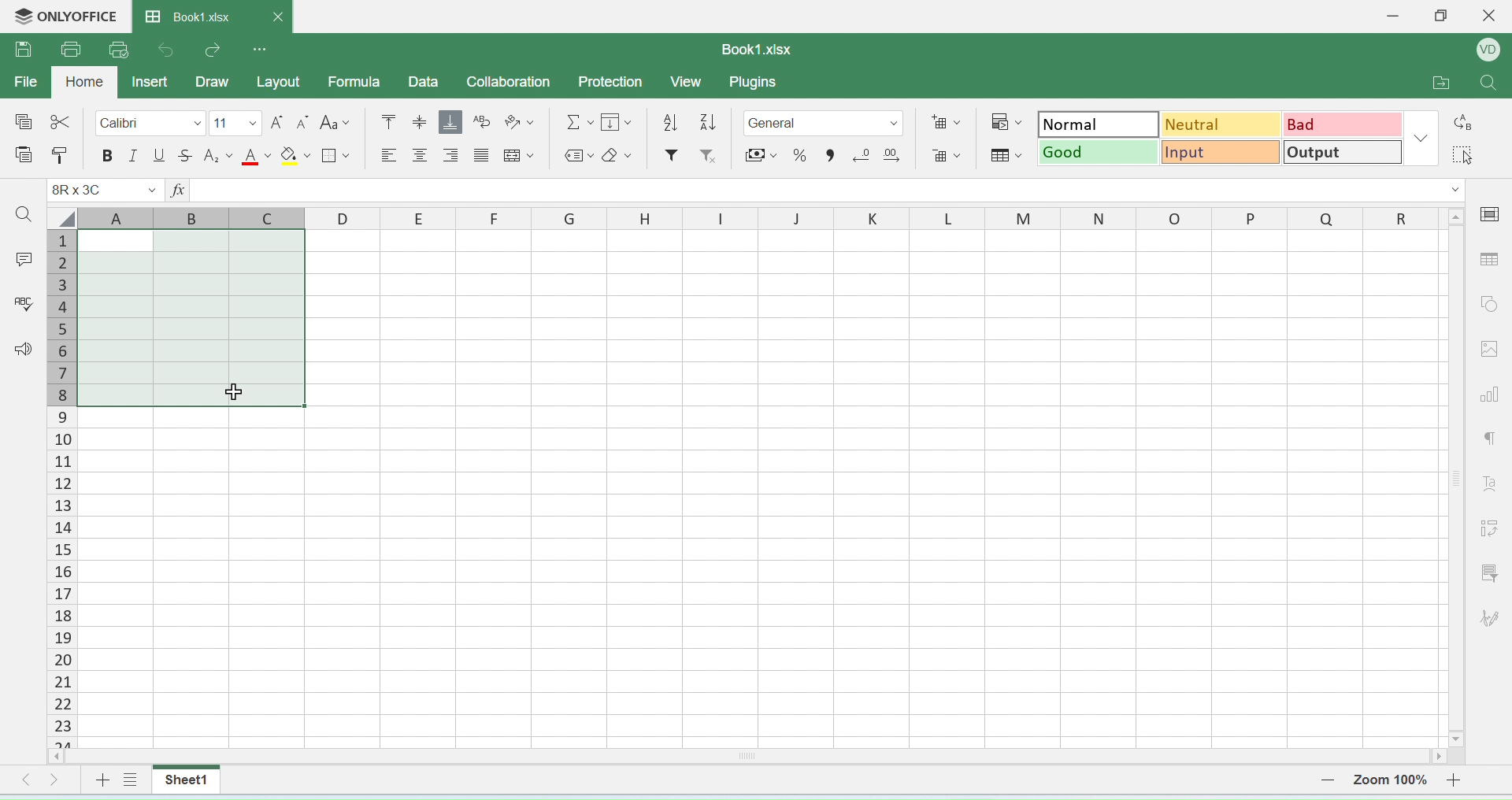 The height and width of the screenshot is (800, 1512). I want to click on output, so click(1343, 152).